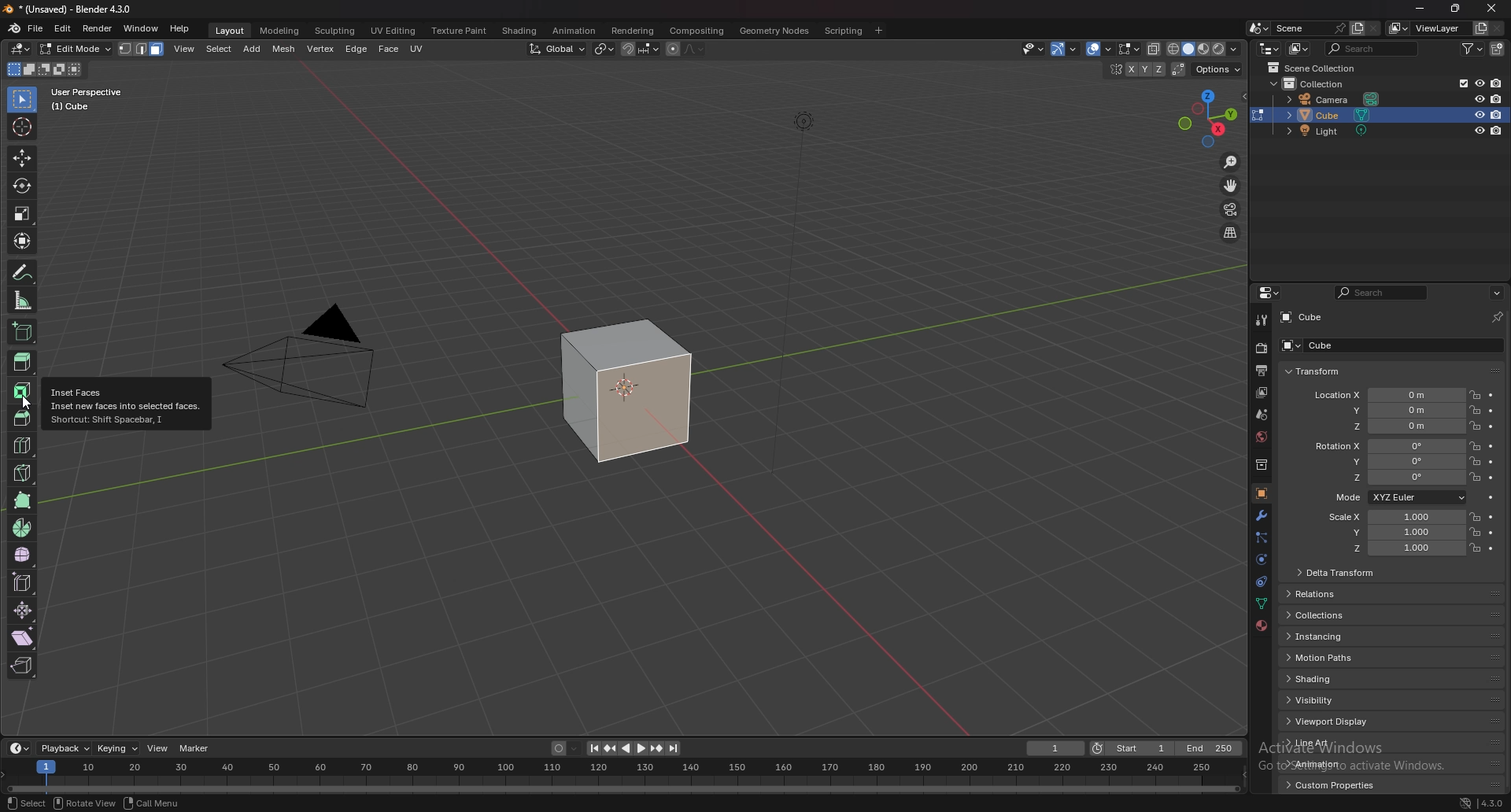 The image size is (1511, 812). I want to click on view, so click(157, 747).